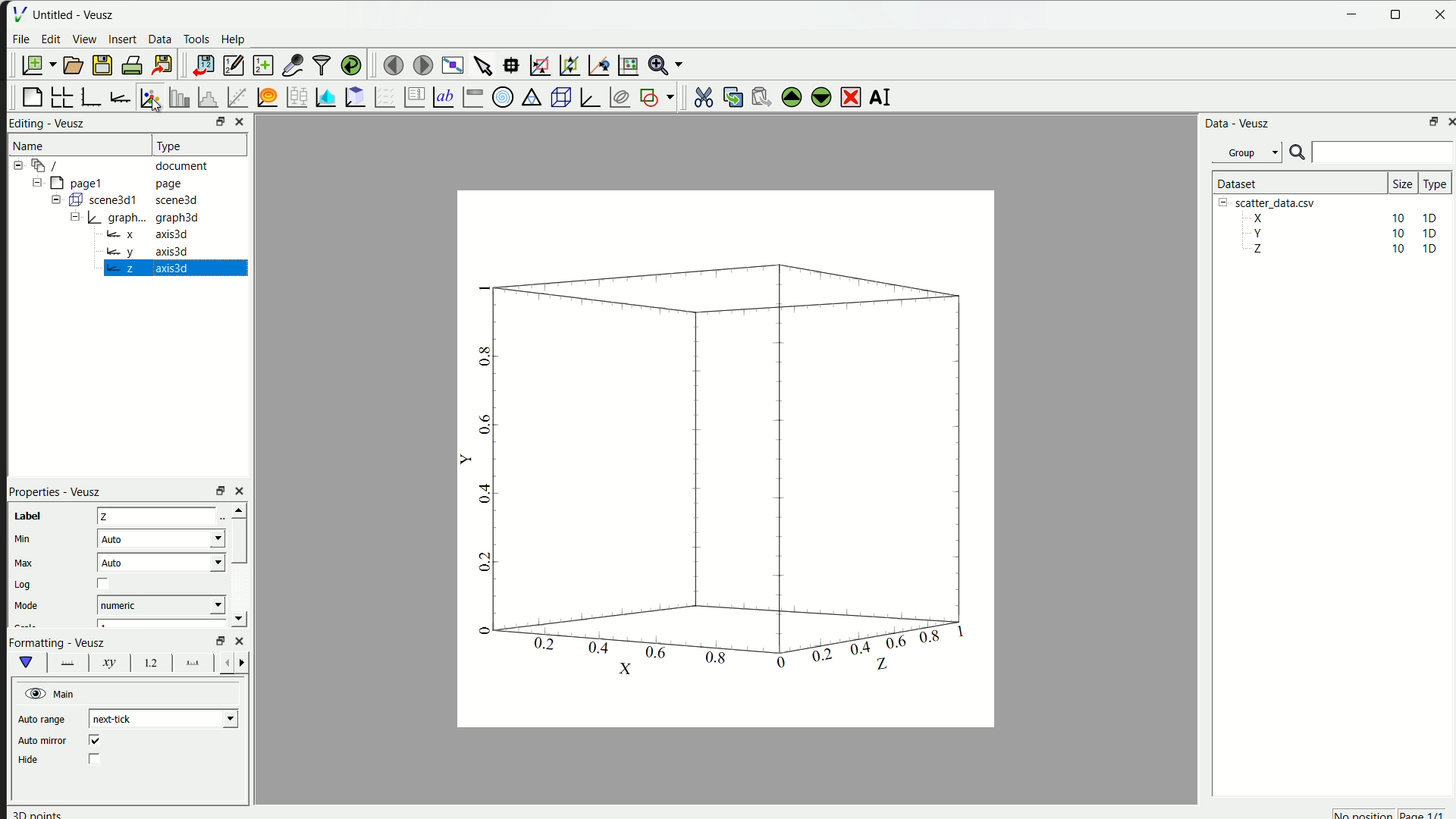 The height and width of the screenshot is (819, 1456). Describe the element at coordinates (1339, 217) in the screenshot. I see `X 10 10` at that location.